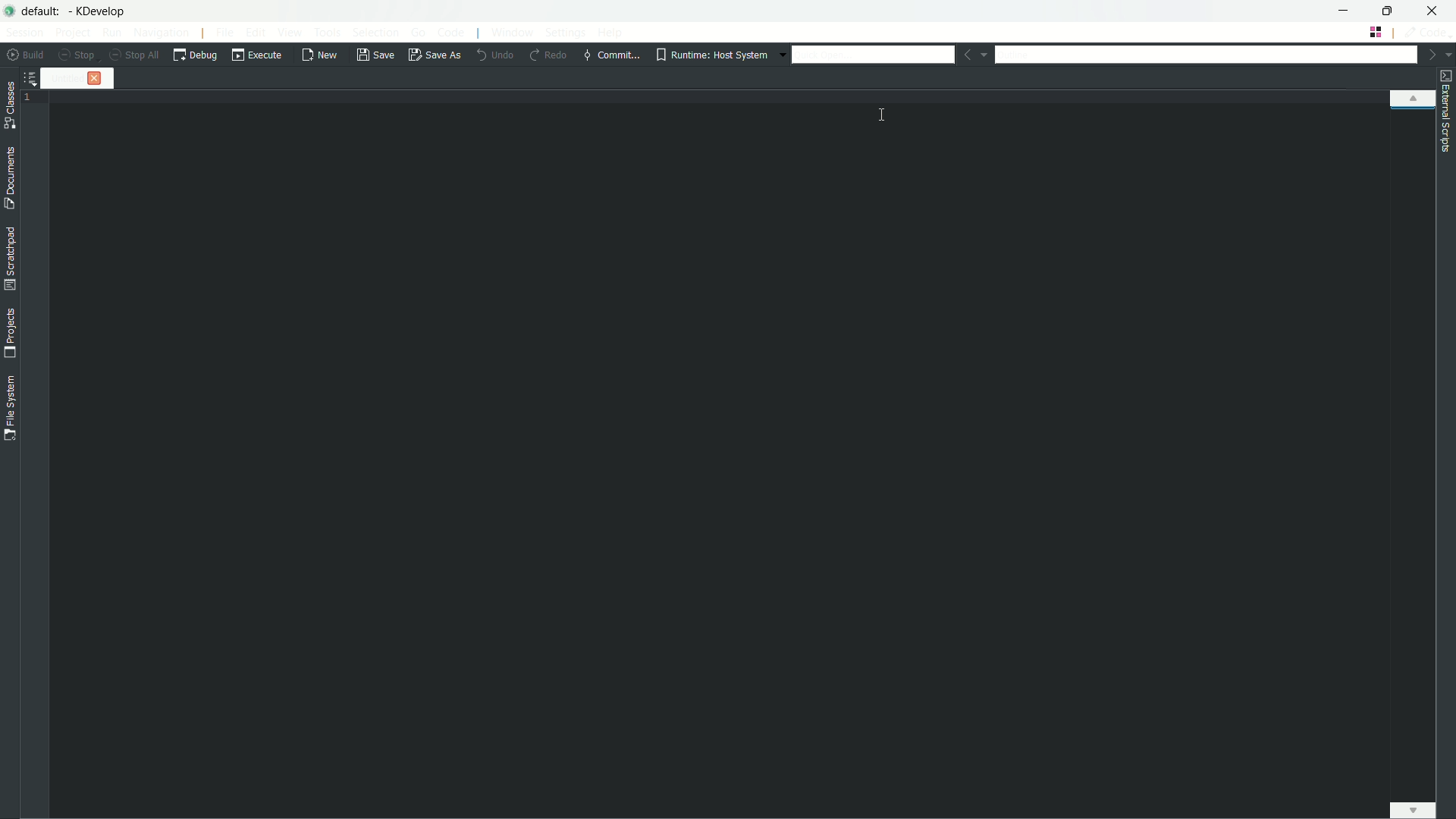 This screenshot has width=1456, height=819. I want to click on debug, so click(195, 55).